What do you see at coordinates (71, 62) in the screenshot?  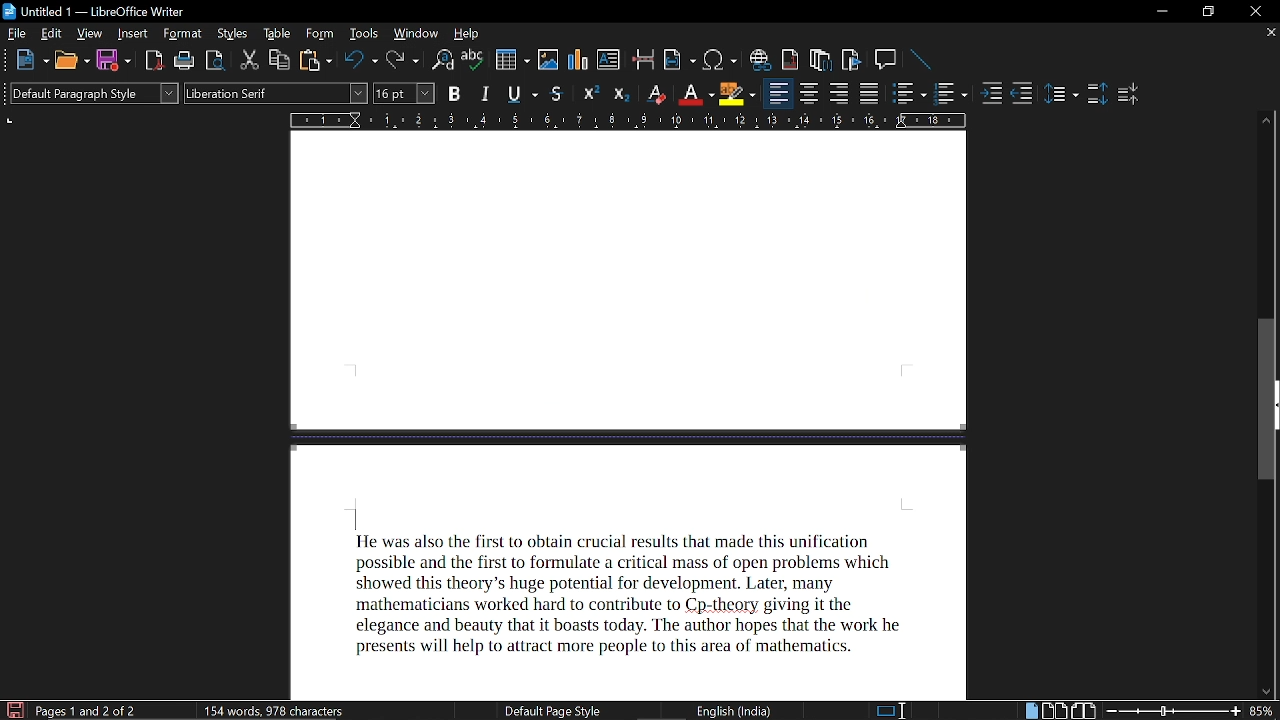 I see `Open` at bounding box center [71, 62].